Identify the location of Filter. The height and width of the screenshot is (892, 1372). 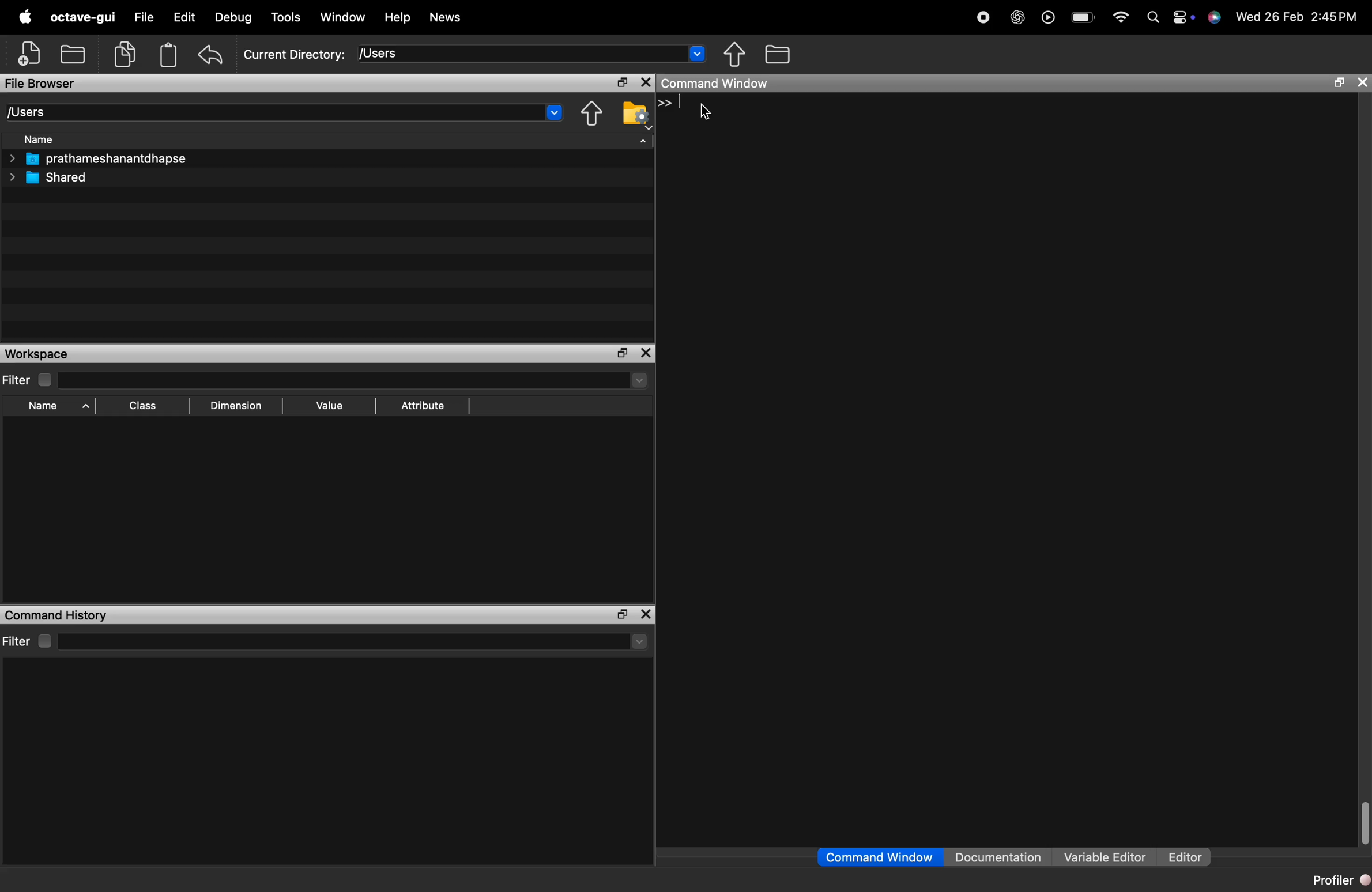
(20, 379).